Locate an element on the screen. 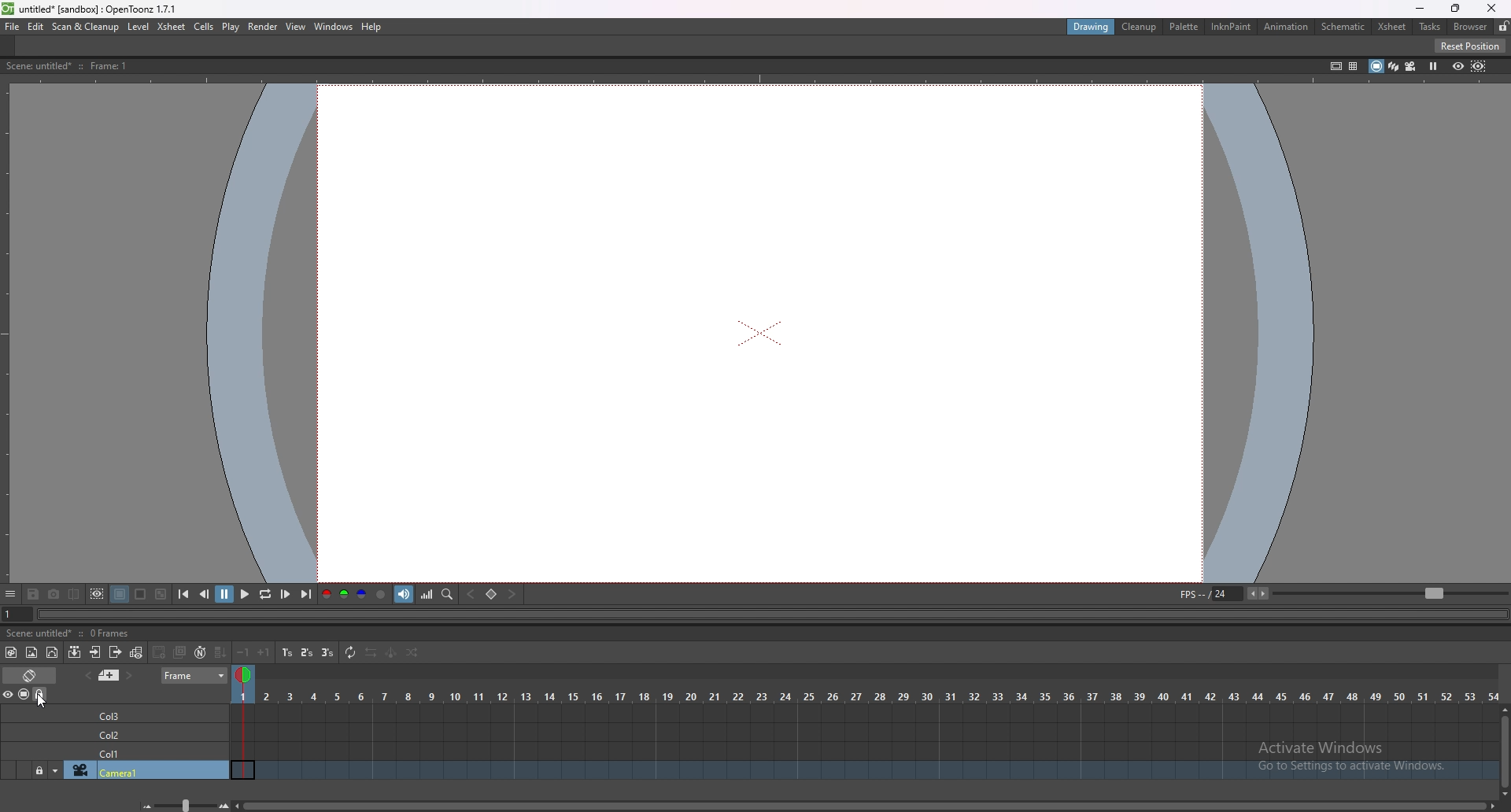  first frame is located at coordinates (184, 594).